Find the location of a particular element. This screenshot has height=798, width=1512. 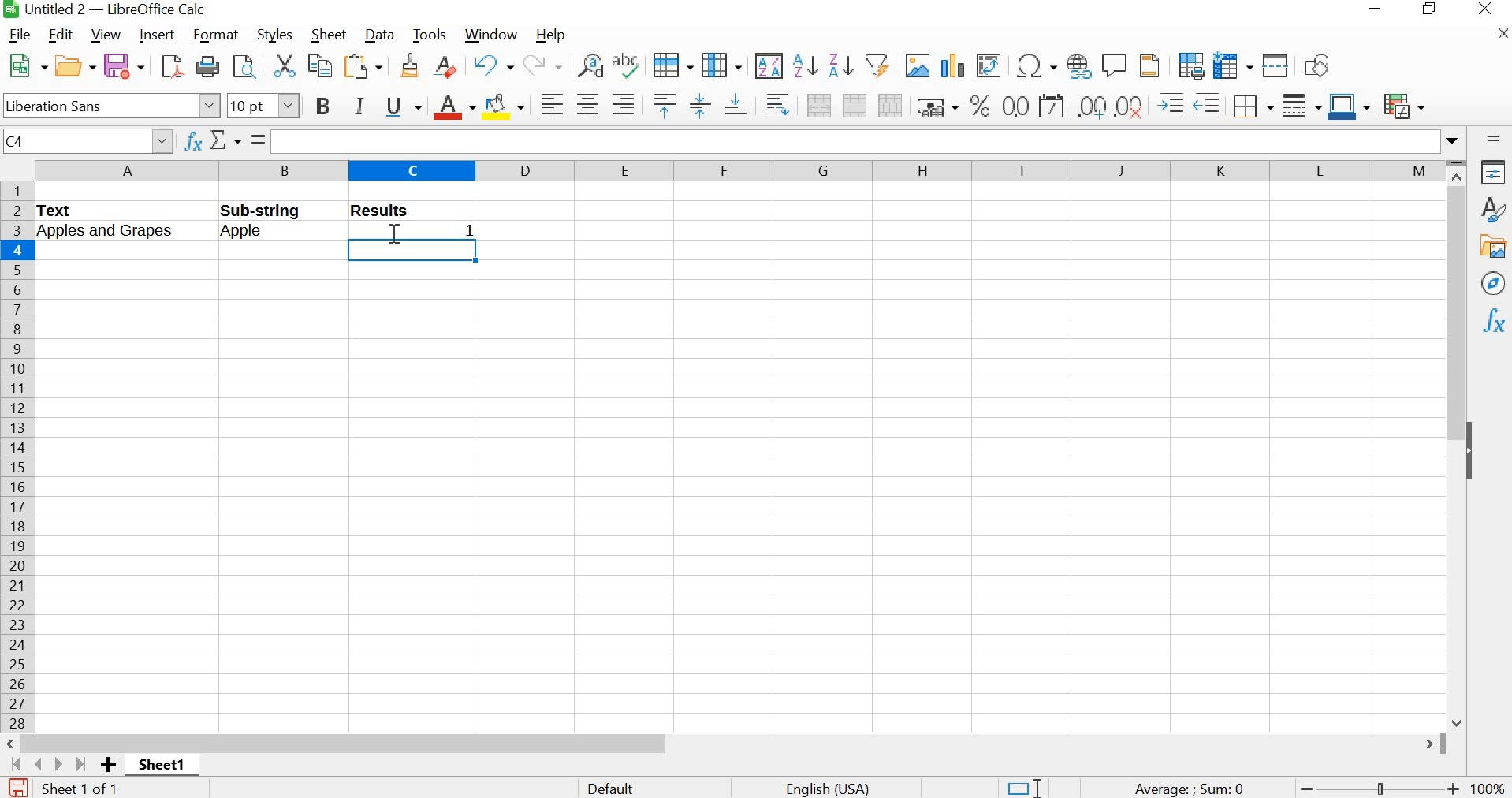

tools is located at coordinates (430, 35).